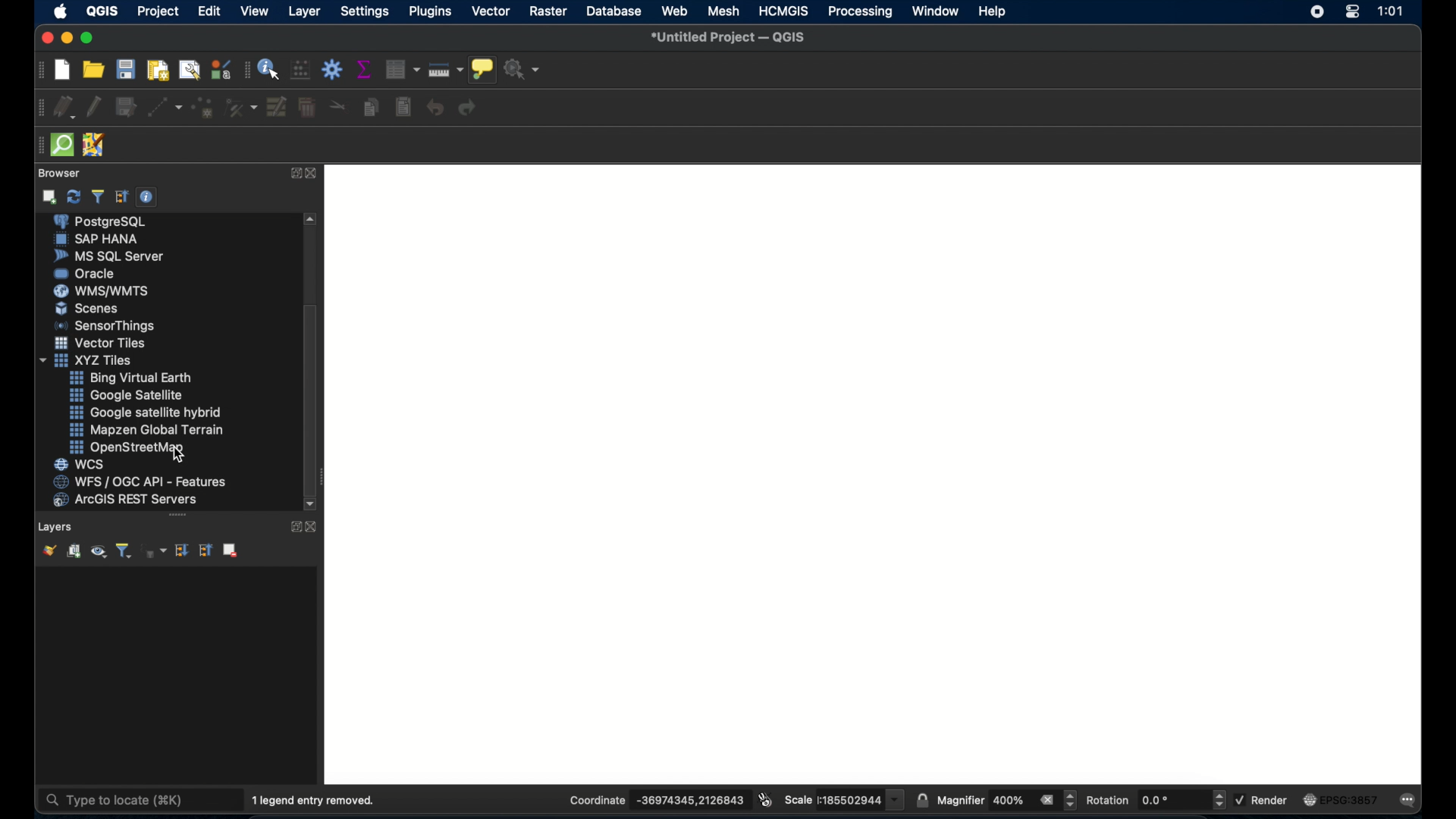 Image resolution: width=1456 pixels, height=819 pixels. What do you see at coordinates (1390, 12) in the screenshot?
I see `time` at bounding box center [1390, 12].